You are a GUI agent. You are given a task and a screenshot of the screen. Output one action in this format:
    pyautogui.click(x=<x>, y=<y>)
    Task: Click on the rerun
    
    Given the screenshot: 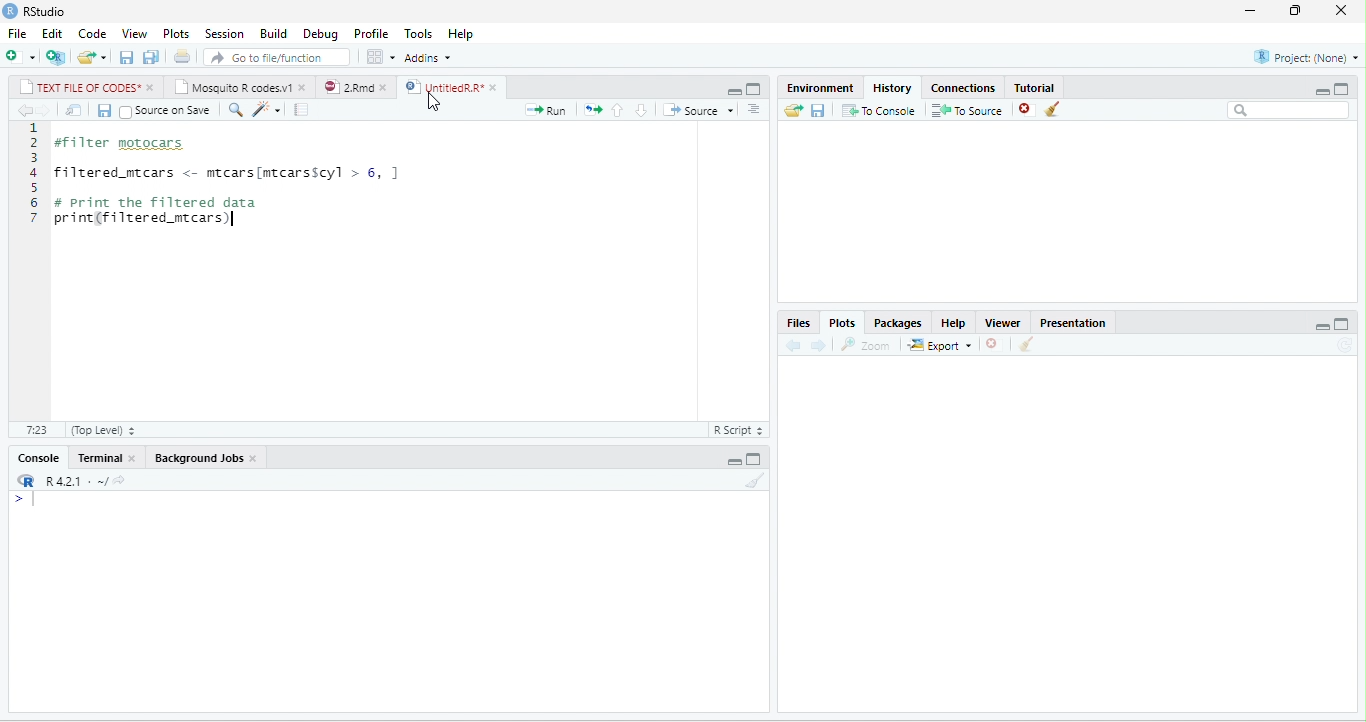 What is the action you would take?
    pyautogui.click(x=593, y=110)
    